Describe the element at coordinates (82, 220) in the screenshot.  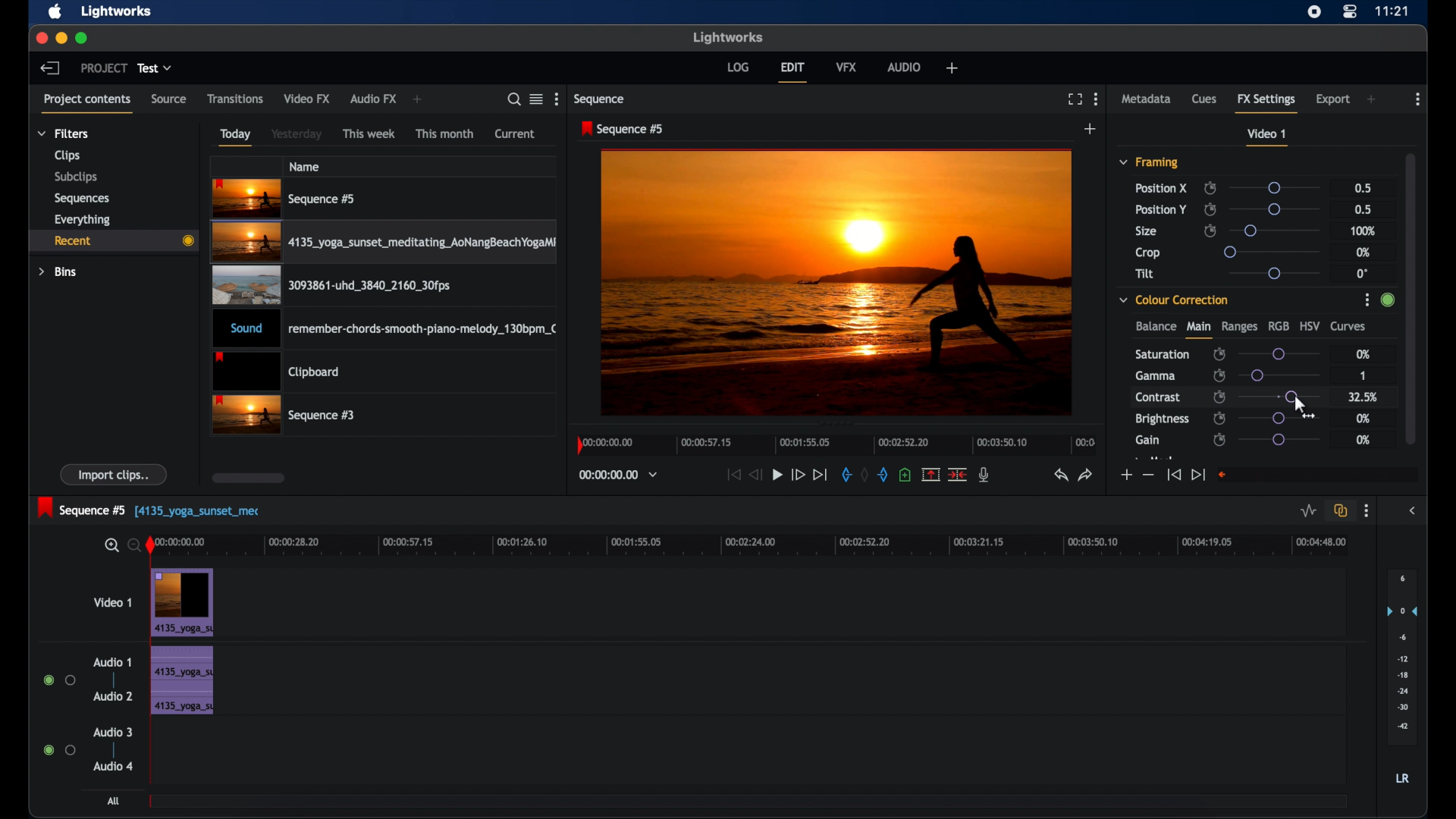
I see `everything` at that location.